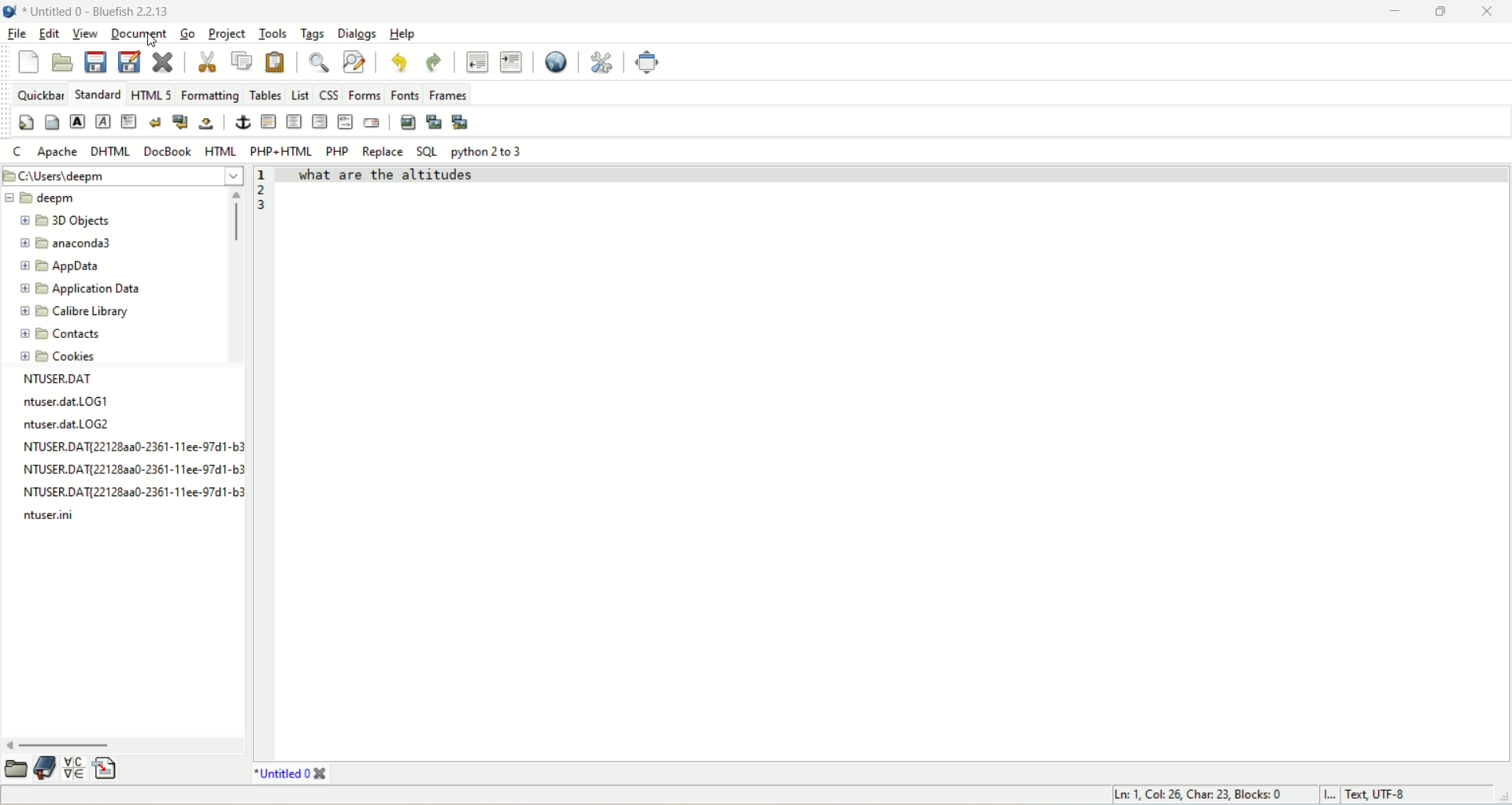 The width and height of the screenshot is (1512, 805). Describe the element at coordinates (274, 34) in the screenshot. I see `tools` at that location.